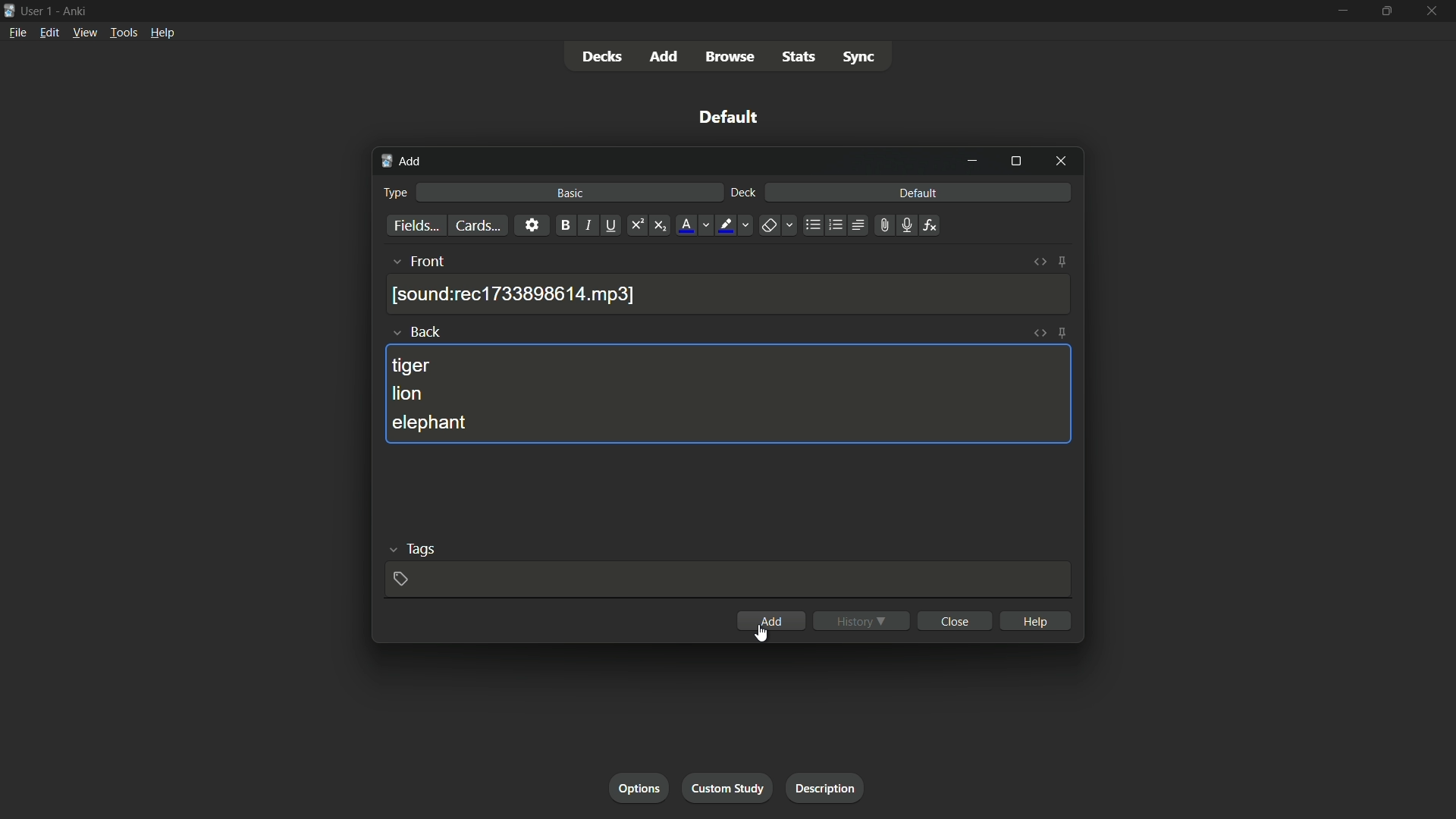  What do you see at coordinates (858, 59) in the screenshot?
I see `sync` at bounding box center [858, 59].